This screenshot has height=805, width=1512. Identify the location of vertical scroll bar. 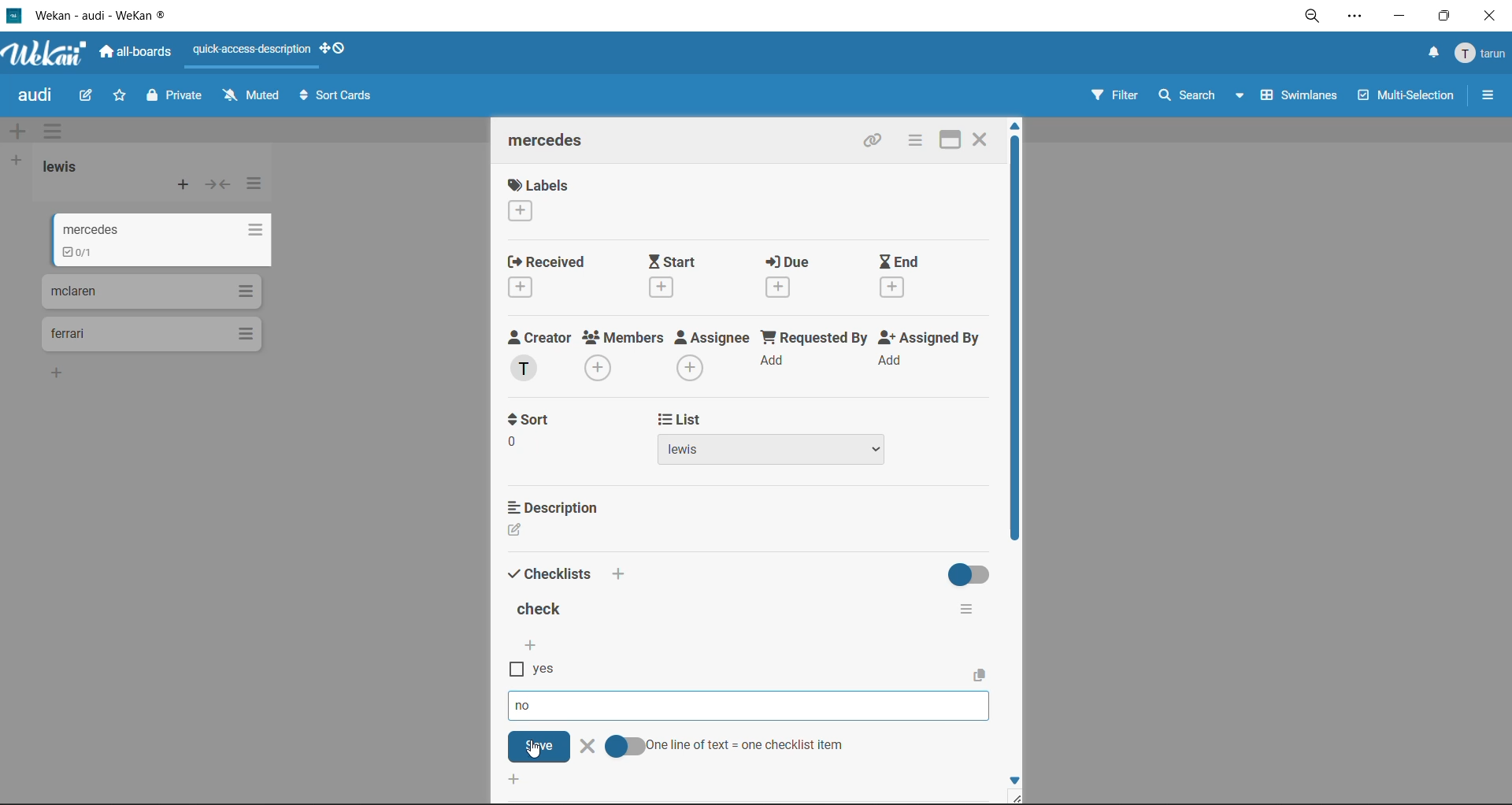
(1014, 350).